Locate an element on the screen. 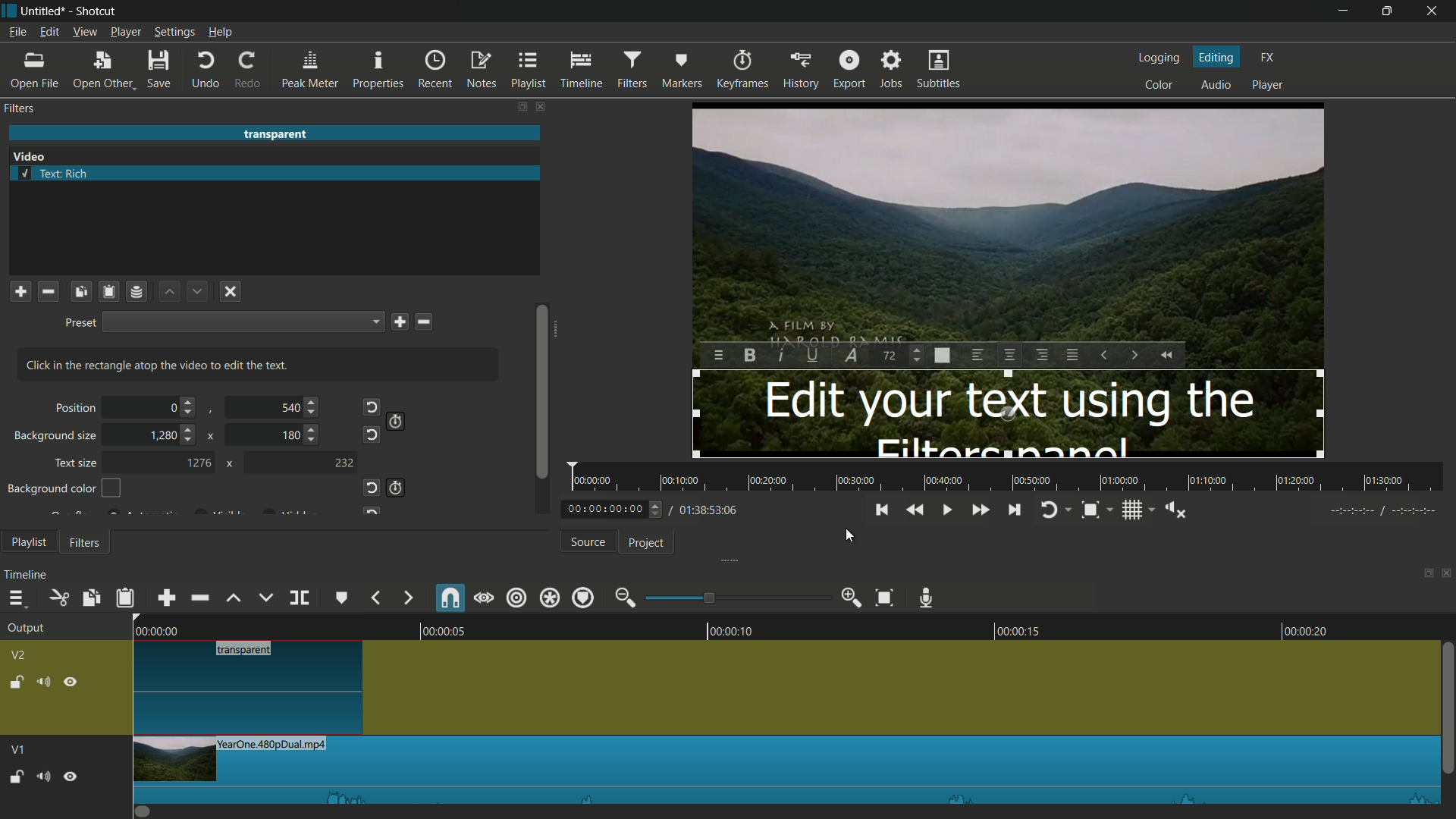  size is located at coordinates (890, 356).